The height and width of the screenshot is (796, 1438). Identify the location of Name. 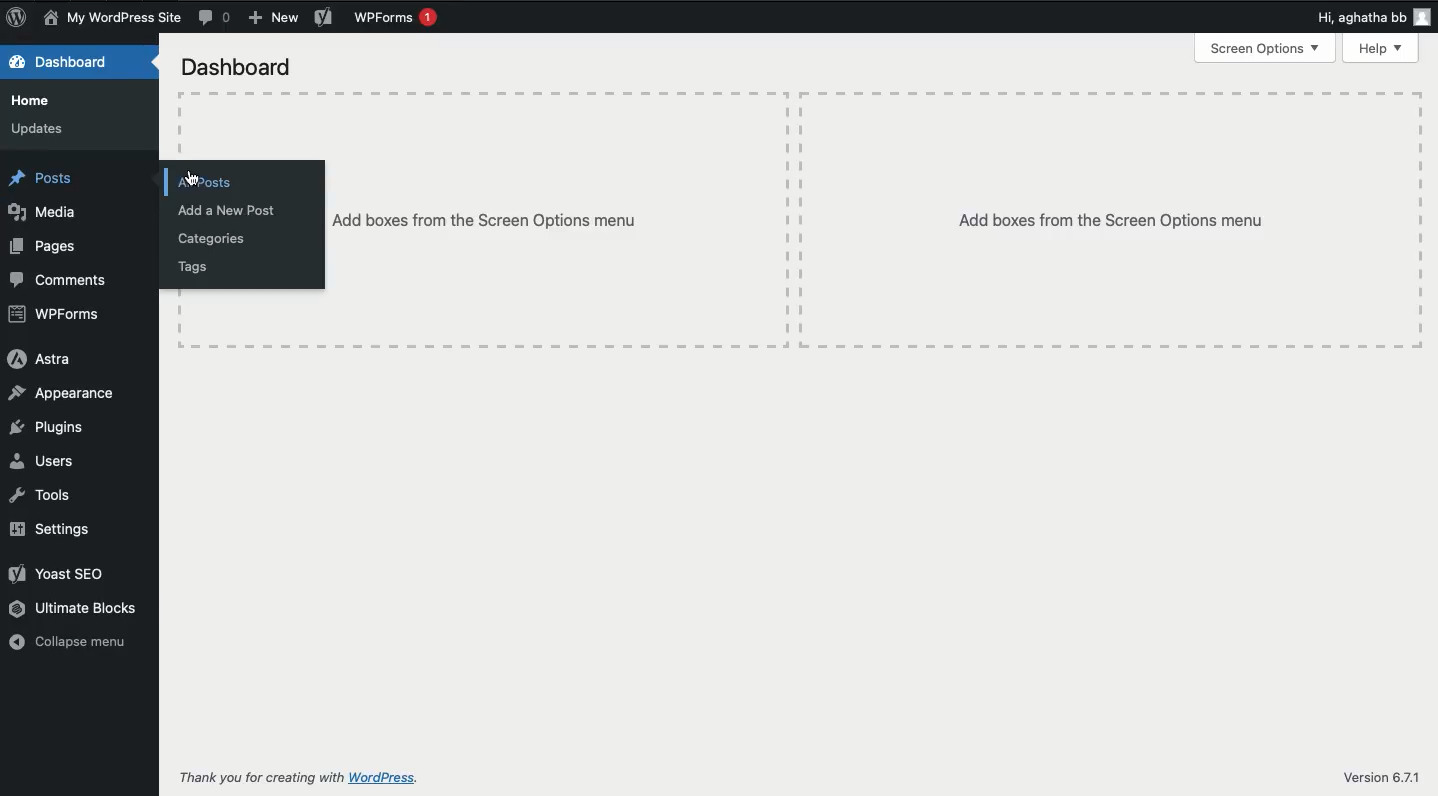
(112, 19).